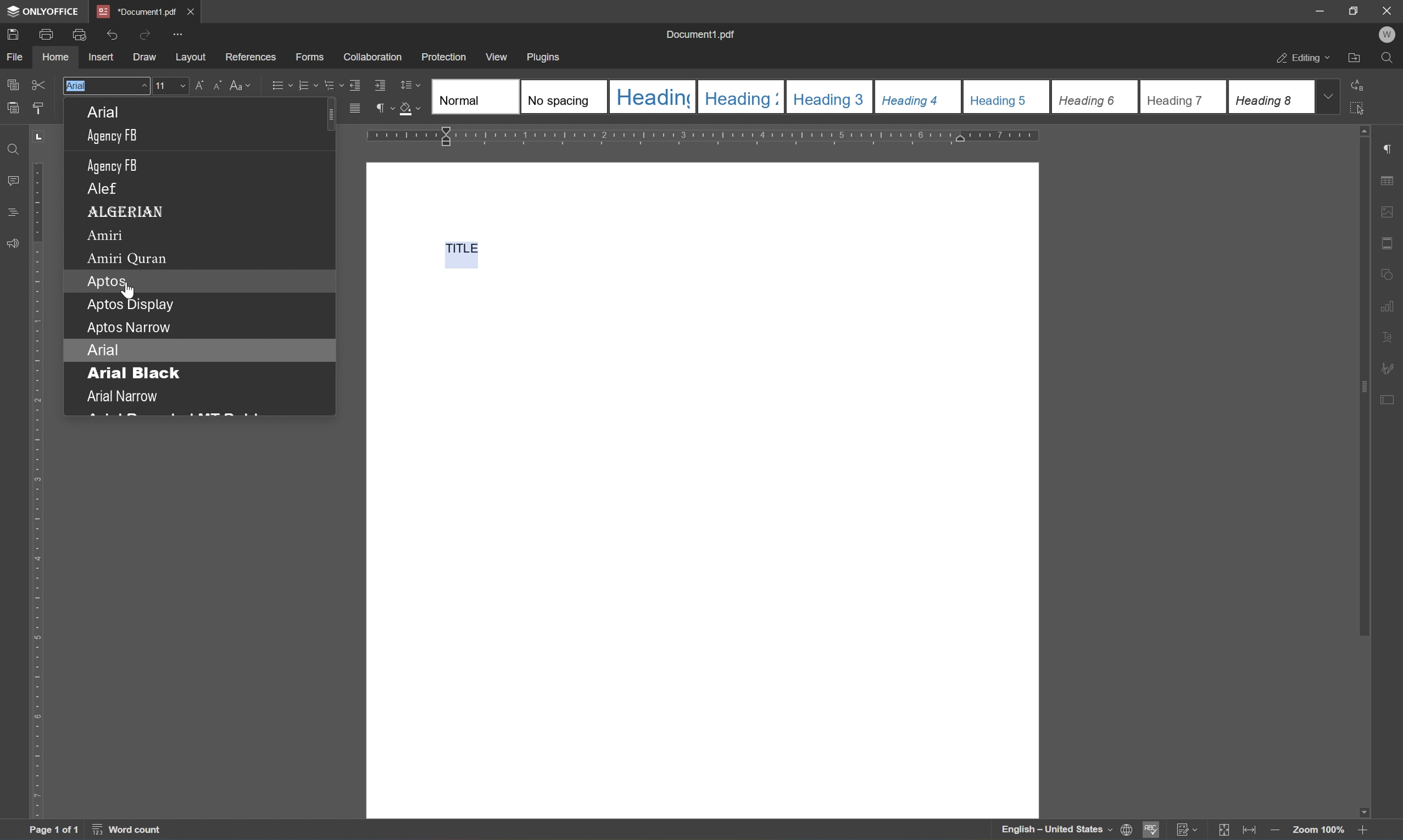 This screenshot has height=840, width=1403. I want to click on home, so click(57, 55).